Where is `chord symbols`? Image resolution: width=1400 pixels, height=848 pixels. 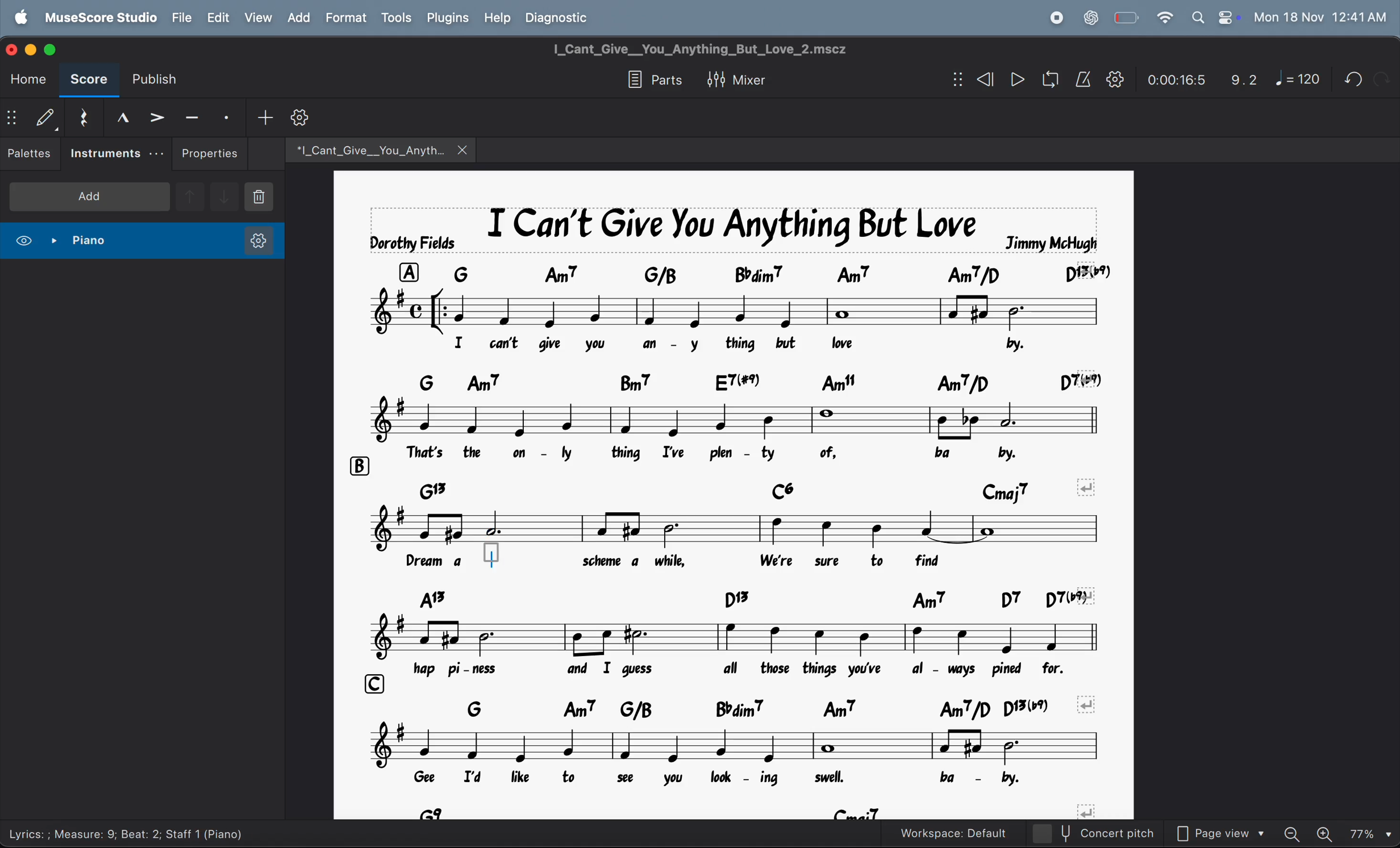 chord symbols is located at coordinates (765, 598).